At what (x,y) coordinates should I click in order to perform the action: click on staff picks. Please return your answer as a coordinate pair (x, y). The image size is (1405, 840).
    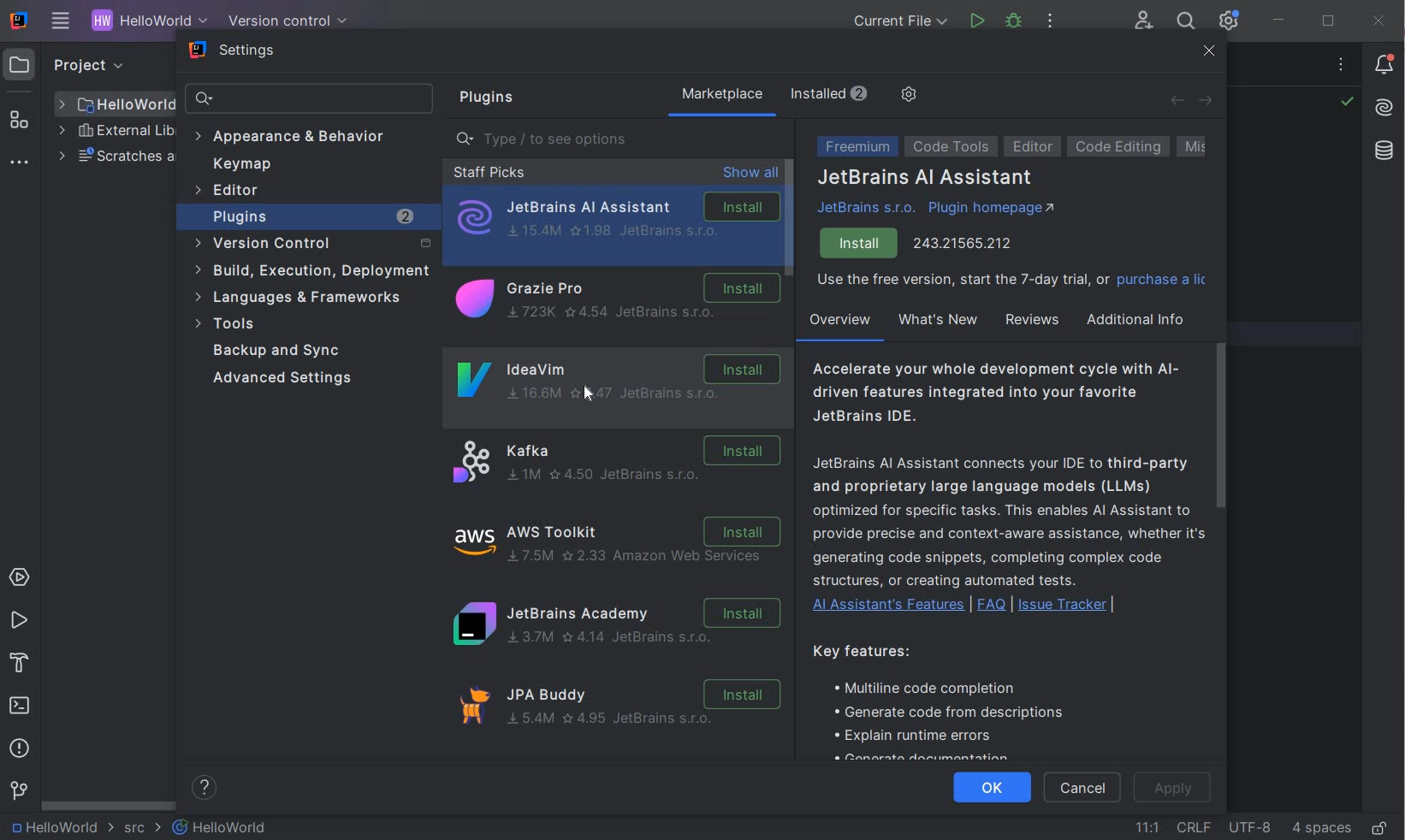
    Looking at the image, I should click on (489, 172).